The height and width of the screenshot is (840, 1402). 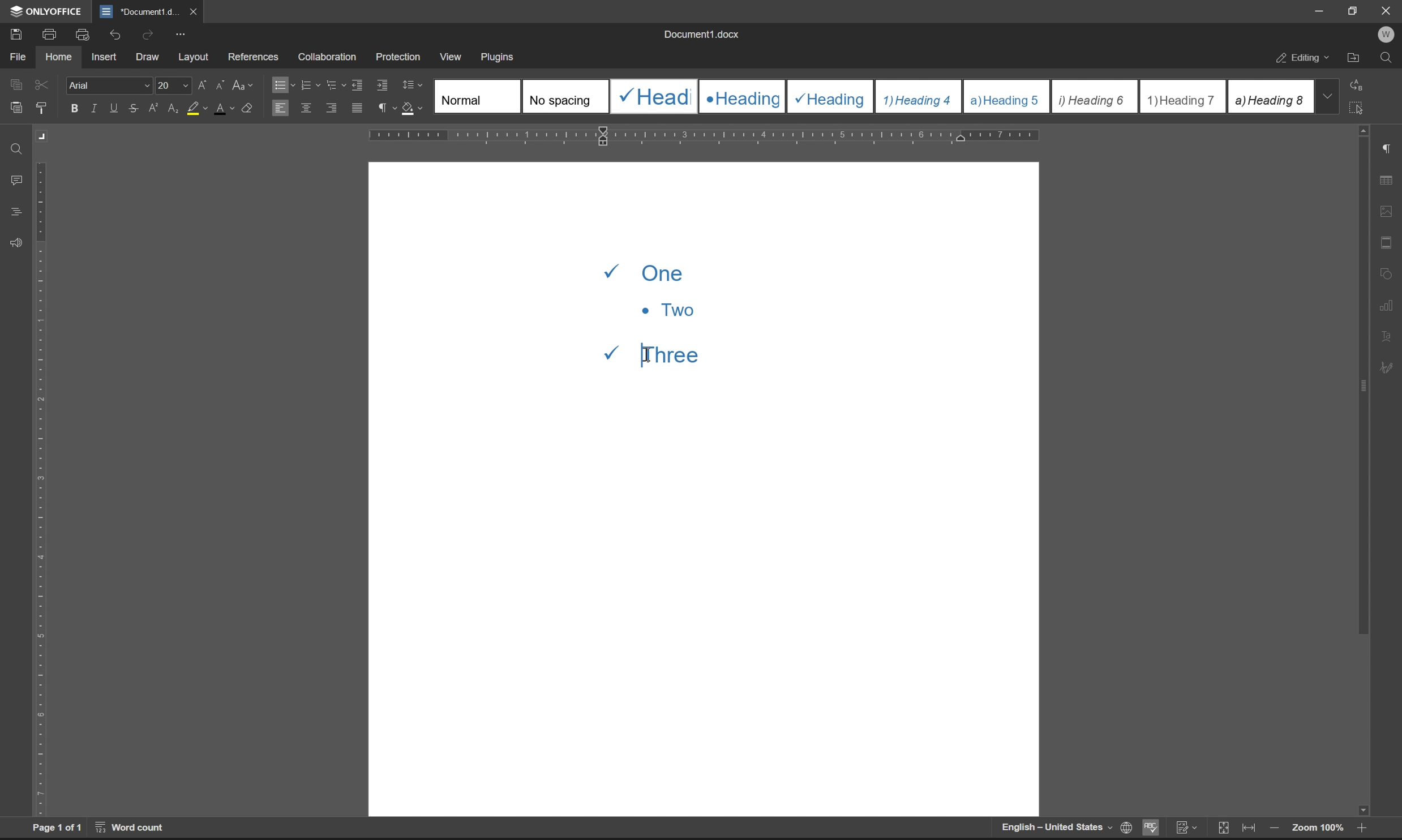 What do you see at coordinates (667, 309) in the screenshot?
I see `two` at bounding box center [667, 309].